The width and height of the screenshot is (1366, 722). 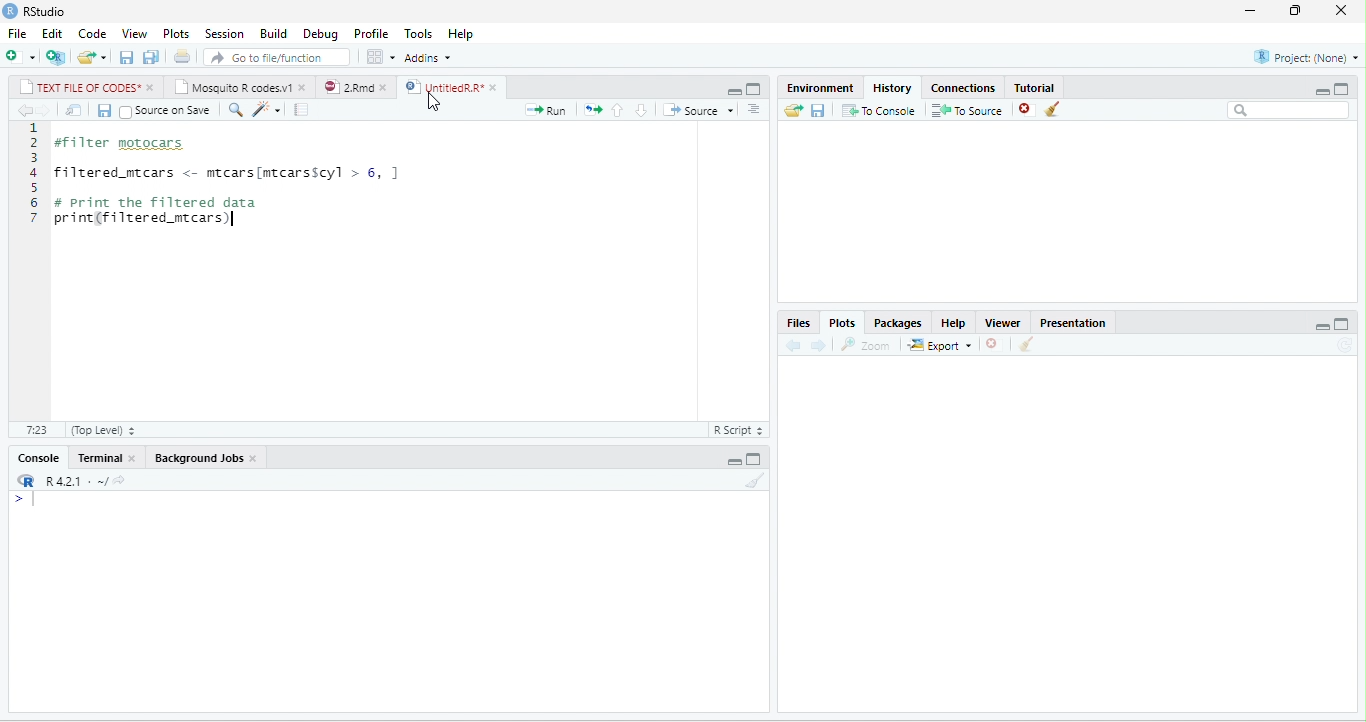 I want to click on clear, so click(x=1026, y=344).